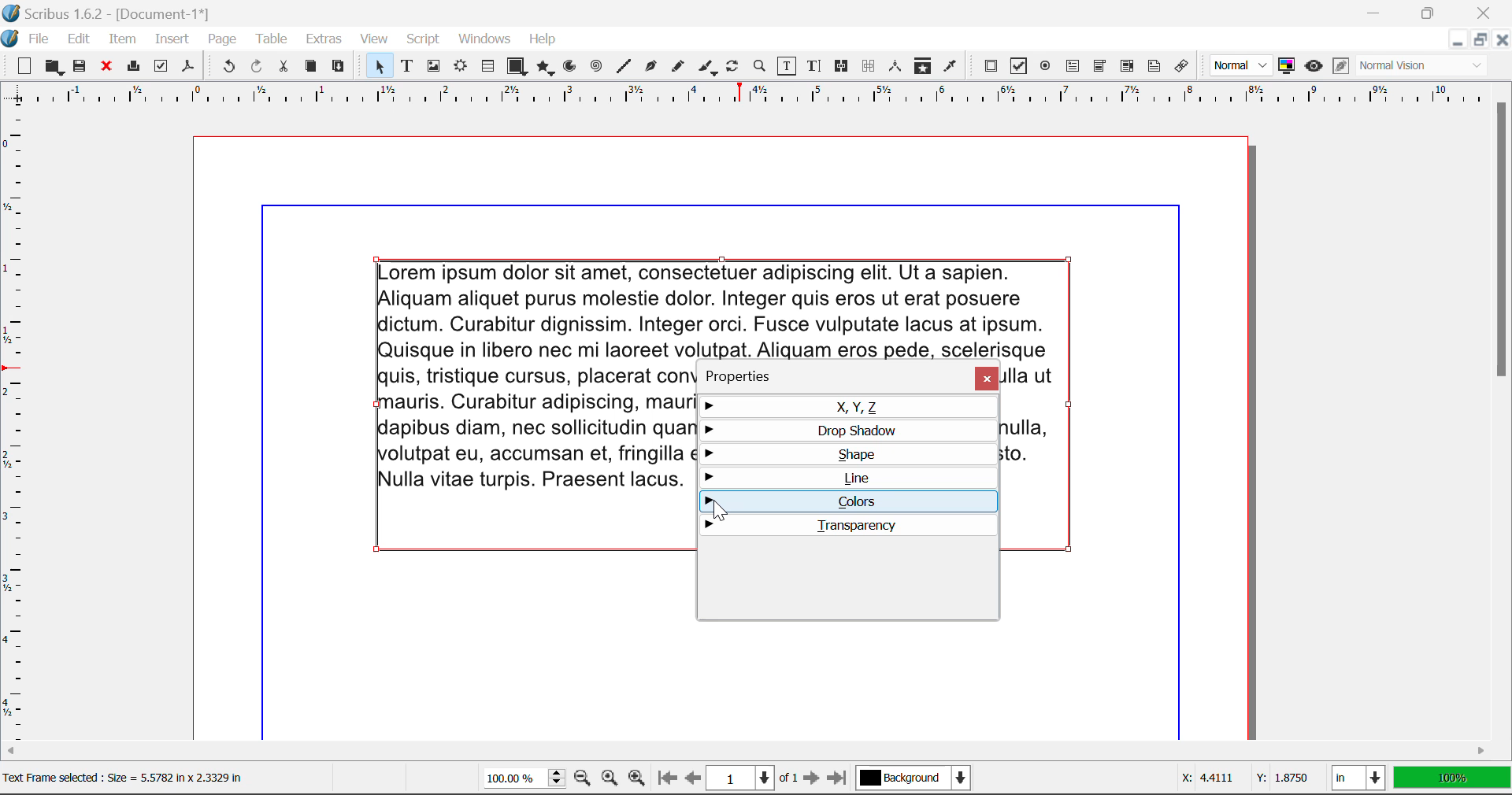  I want to click on Open, so click(55, 68).